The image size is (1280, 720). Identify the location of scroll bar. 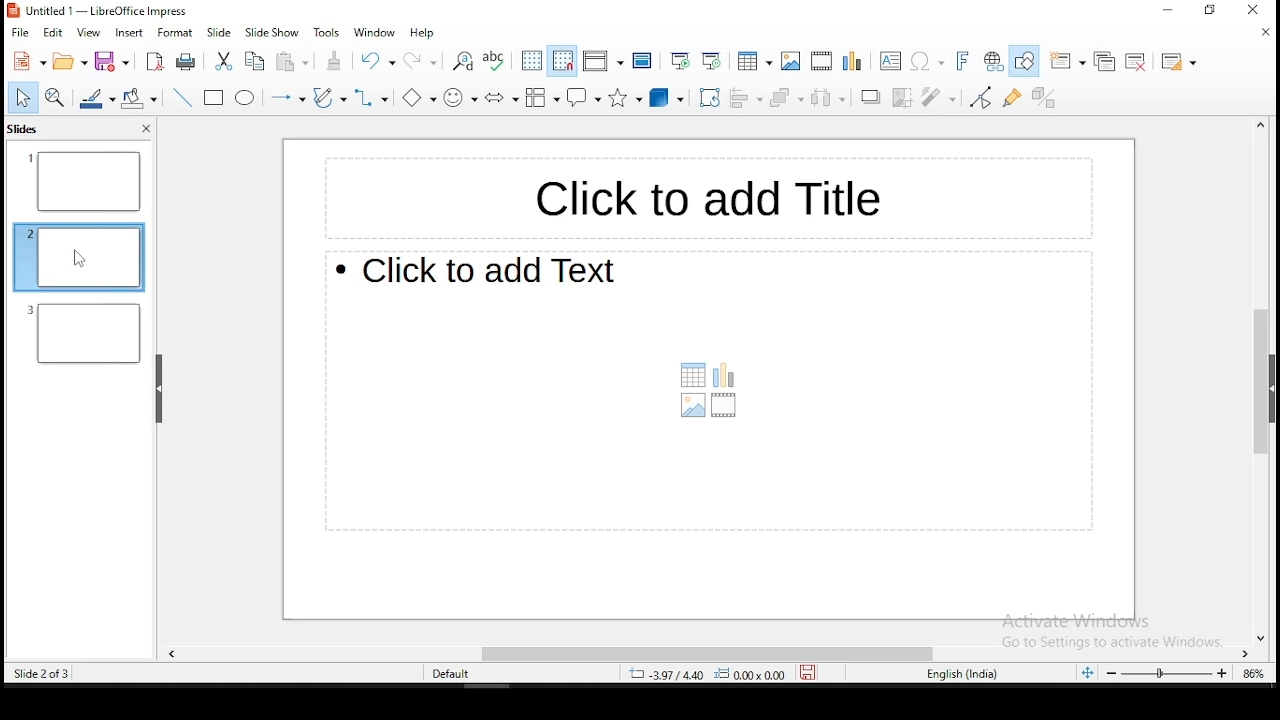
(1255, 381).